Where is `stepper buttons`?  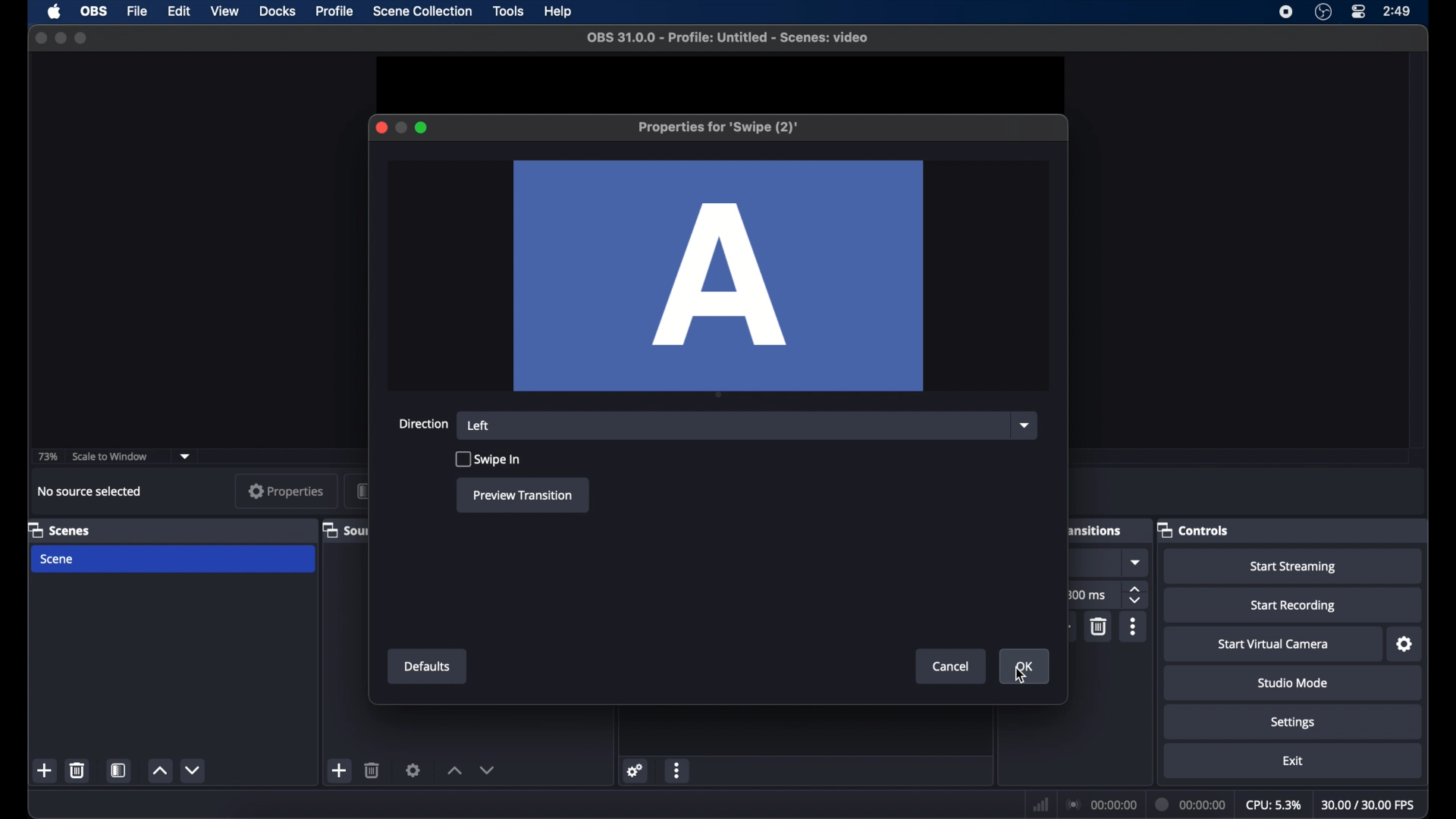 stepper buttons is located at coordinates (1134, 594).